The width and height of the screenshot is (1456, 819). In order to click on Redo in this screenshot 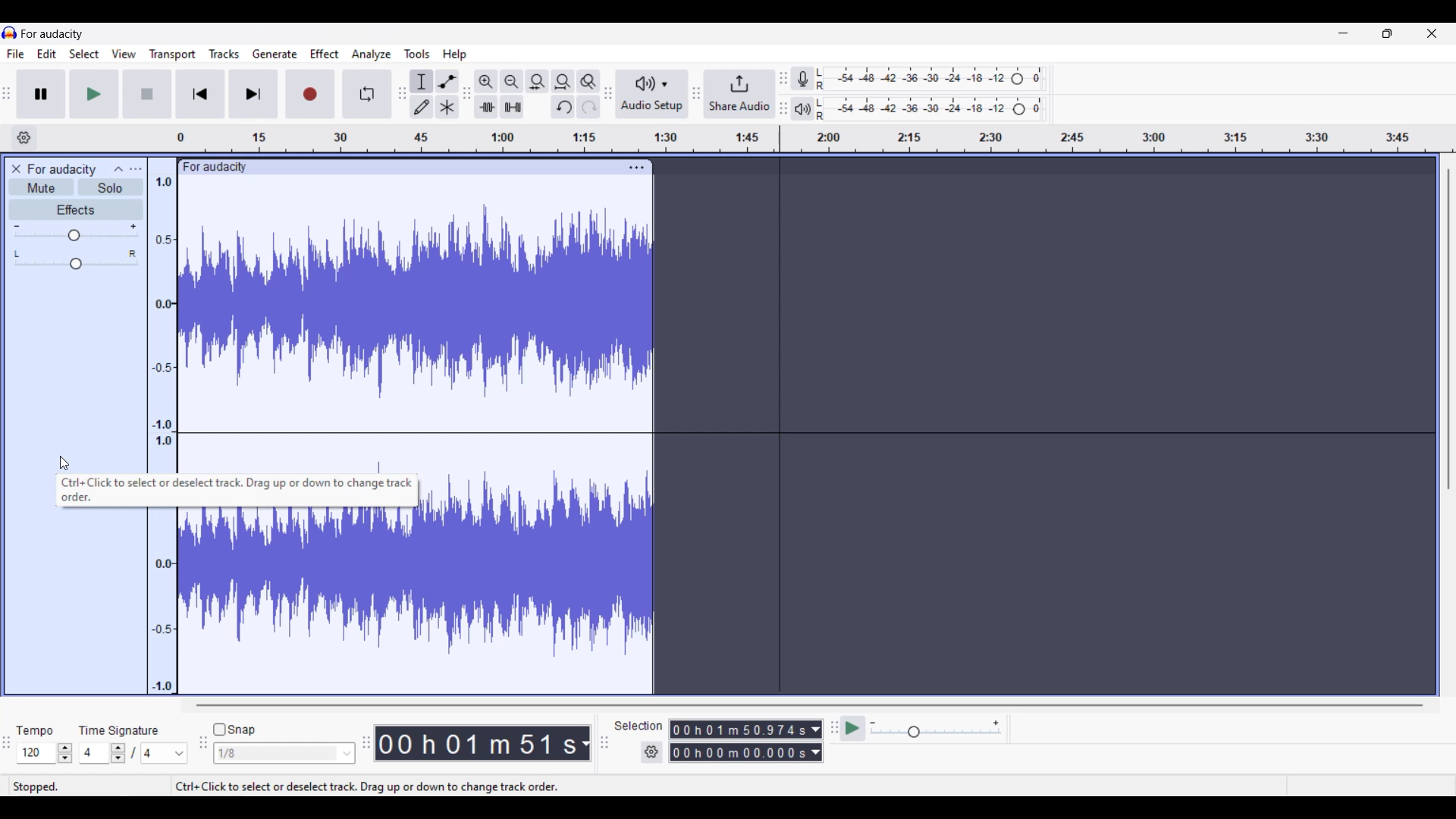, I will do `click(591, 106)`.